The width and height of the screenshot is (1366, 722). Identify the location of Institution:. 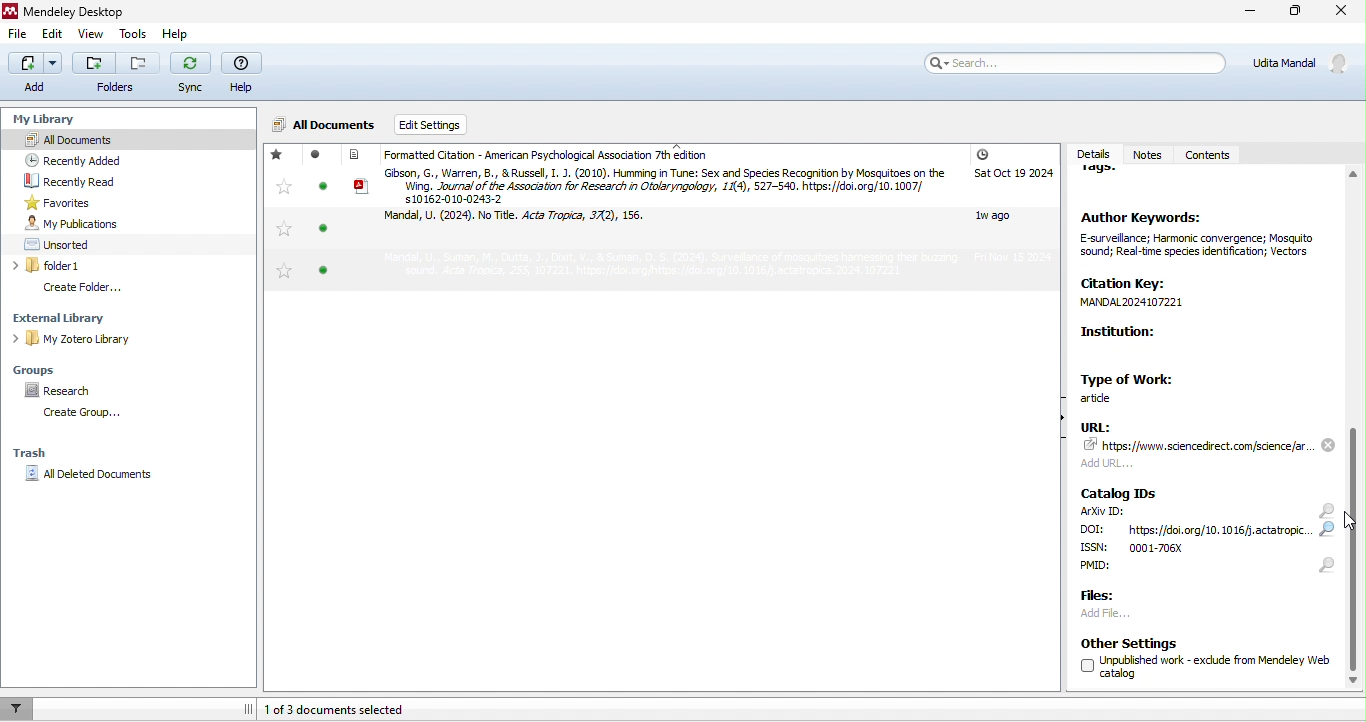
(1168, 345).